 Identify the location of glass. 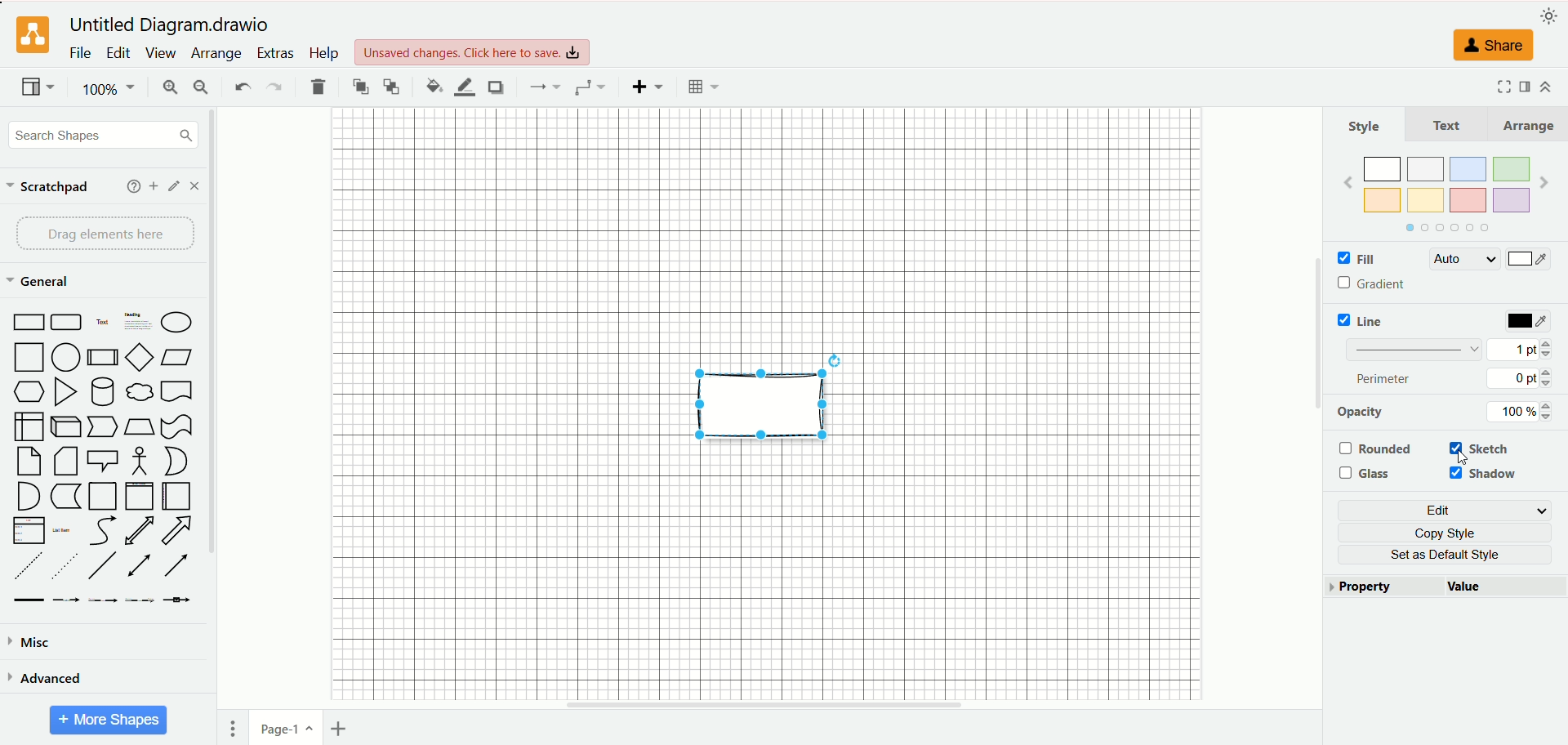
(1369, 474).